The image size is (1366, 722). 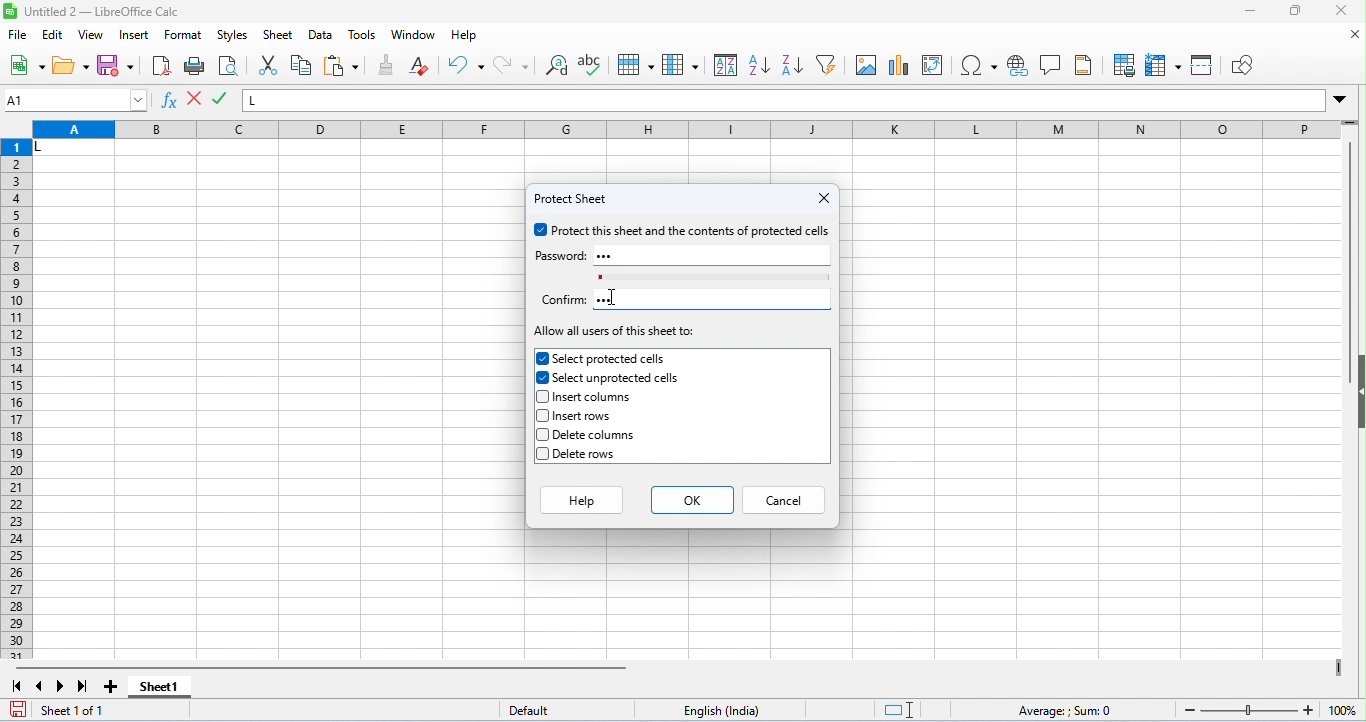 I want to click on row numbers, so click(x=18, y=400).